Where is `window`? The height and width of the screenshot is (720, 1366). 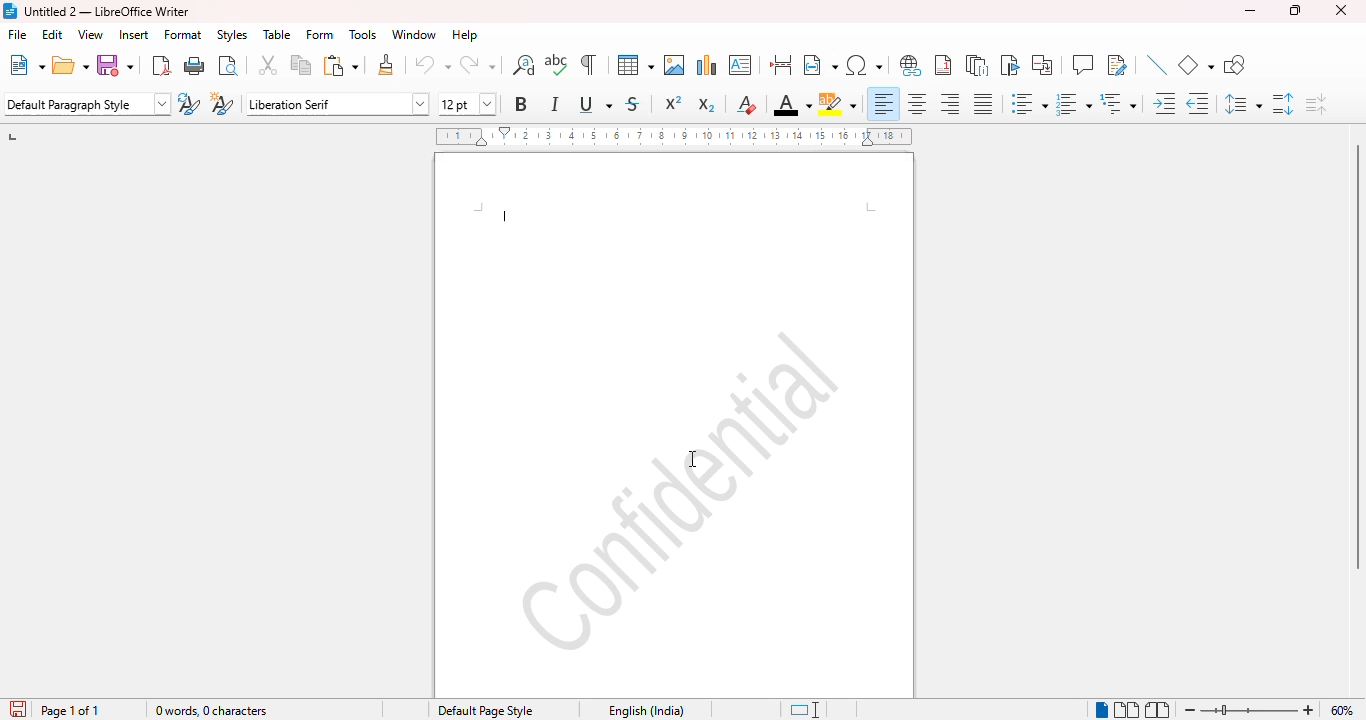
window is located at coordinates (413, 34).